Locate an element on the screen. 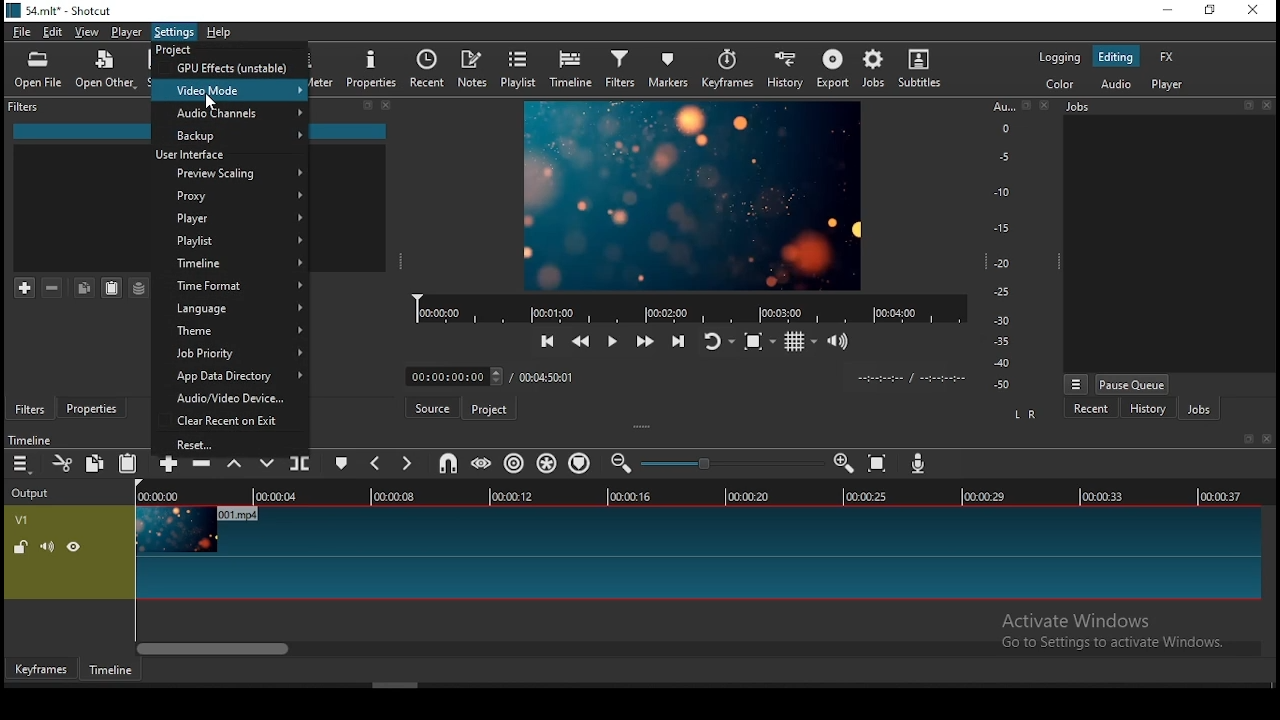 This screenshot has height=720, width=1280. next marker is located at coordinates (404, 463).